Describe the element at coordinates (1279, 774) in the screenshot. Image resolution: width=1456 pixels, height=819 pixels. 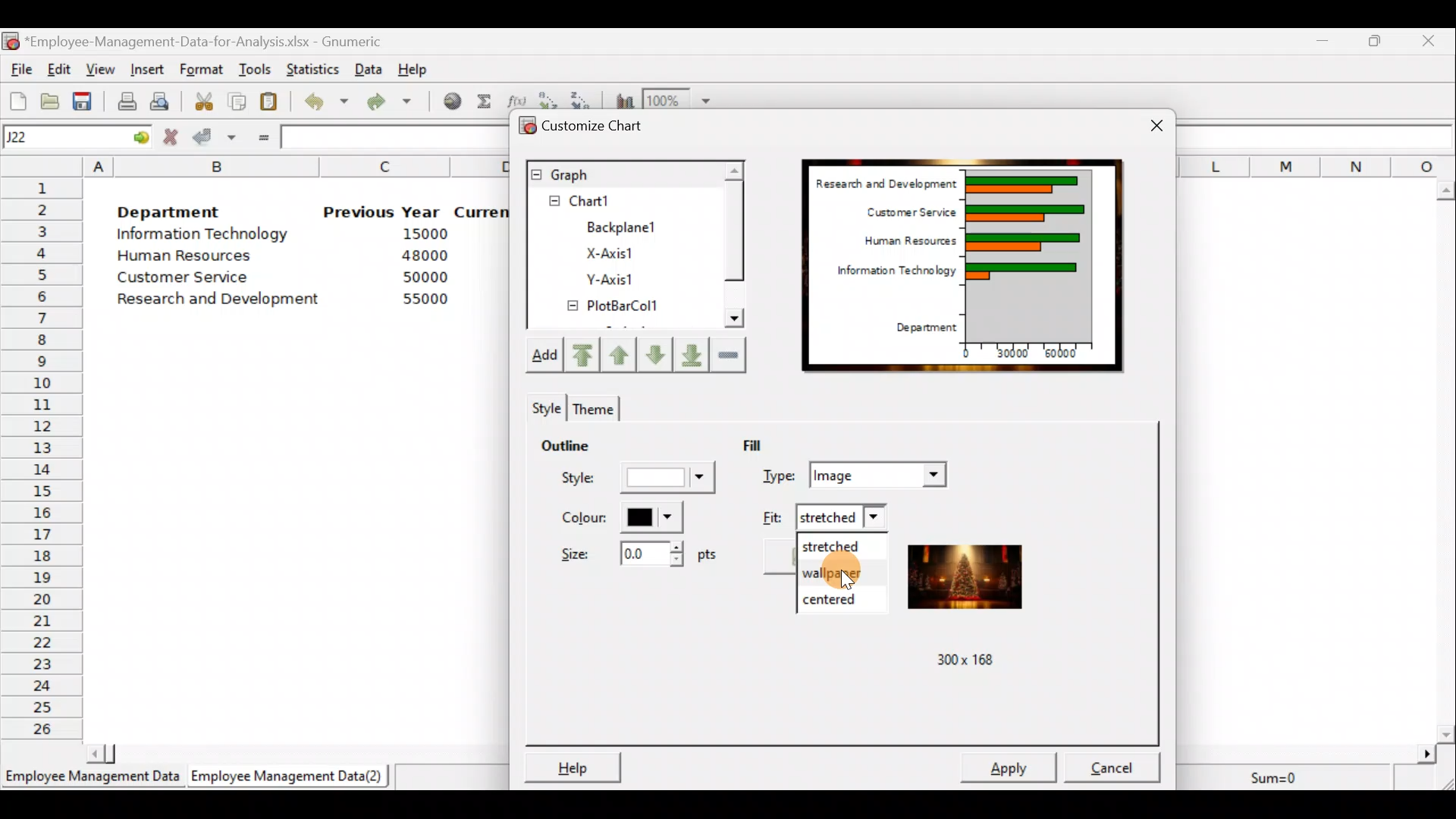
I see `Sum=0` at that location.